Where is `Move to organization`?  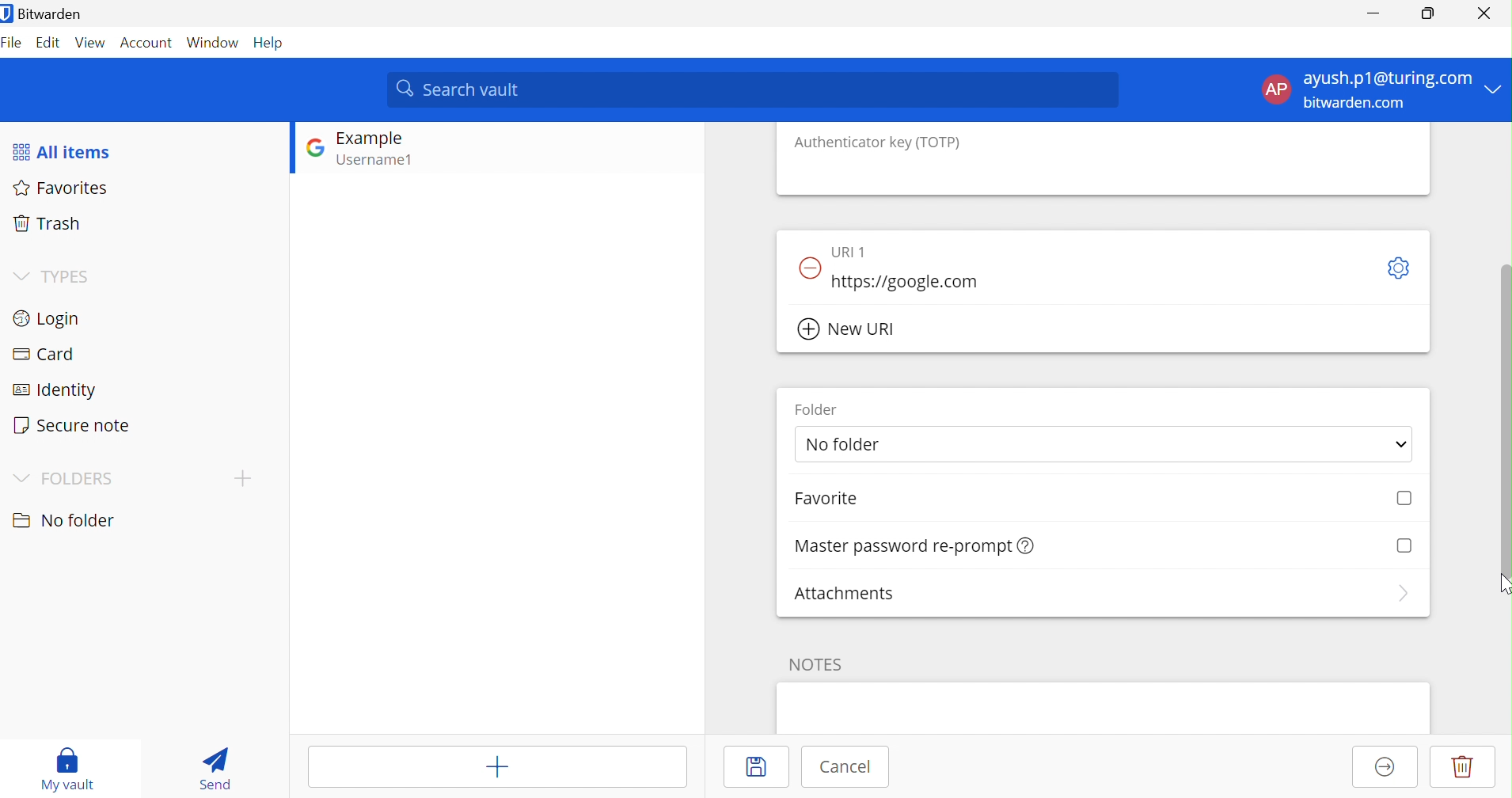 Move to organization is located at coordinates (1384, 768).